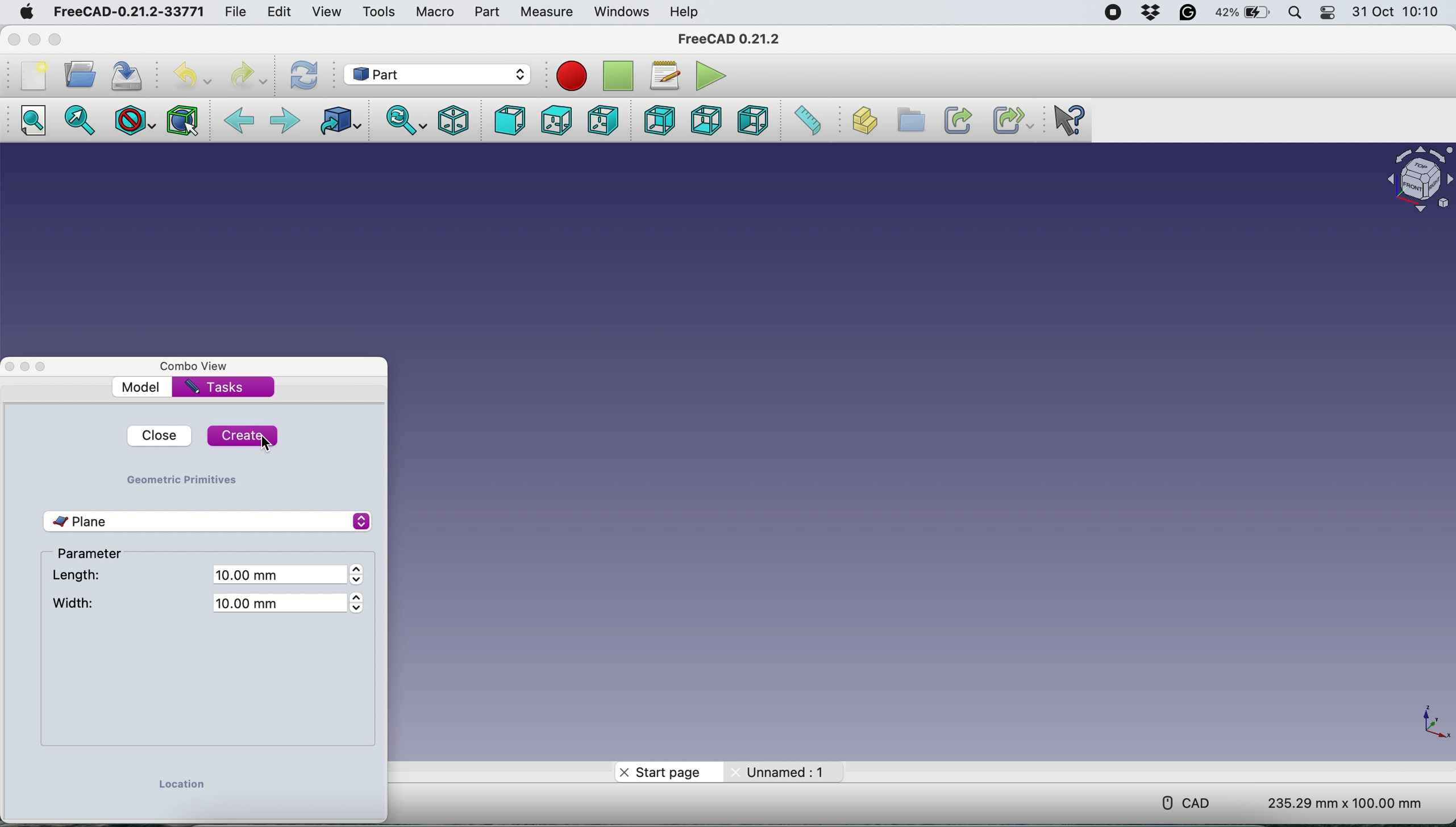 Image resolution: width=1456 pixels, height=827 pixels. What do you see at coordinates (1327, 12) in the screenshot?
I see `Control Center` at bounding box center [1327, 12].